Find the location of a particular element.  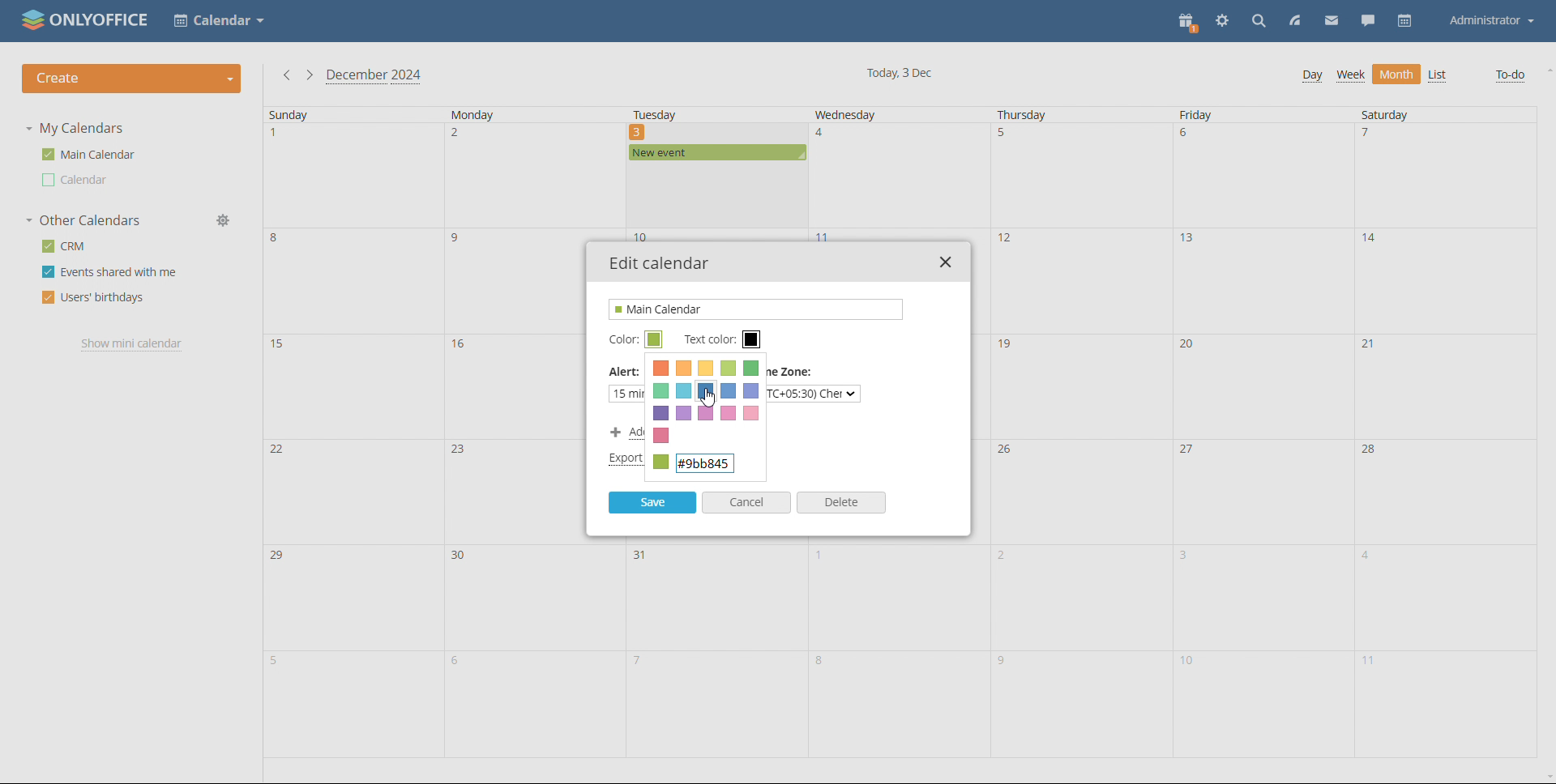

Alert is located at coordinates (626, 375).